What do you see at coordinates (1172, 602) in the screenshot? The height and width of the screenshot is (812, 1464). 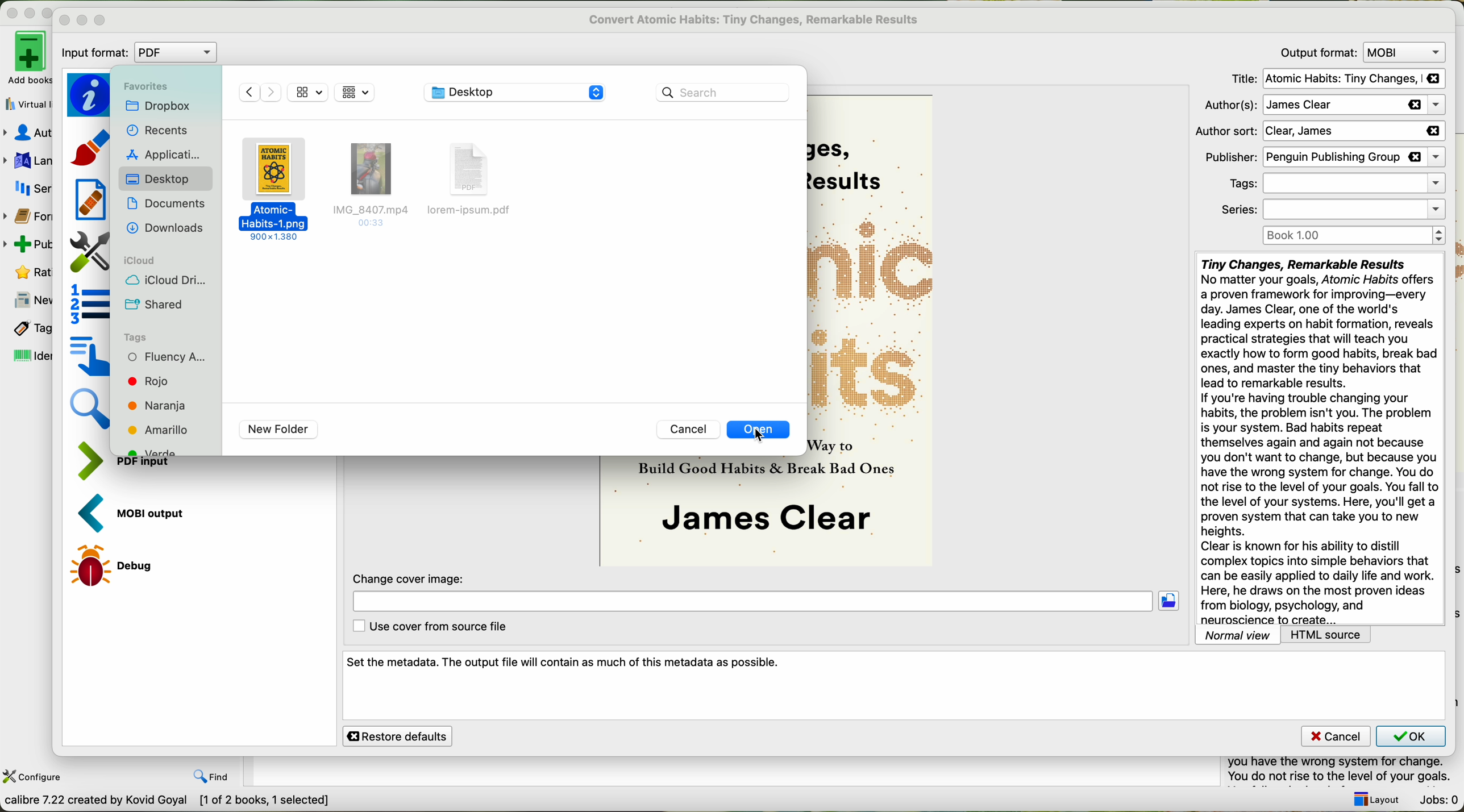 I see `click on folder location` at bounding box center [1172, 602].